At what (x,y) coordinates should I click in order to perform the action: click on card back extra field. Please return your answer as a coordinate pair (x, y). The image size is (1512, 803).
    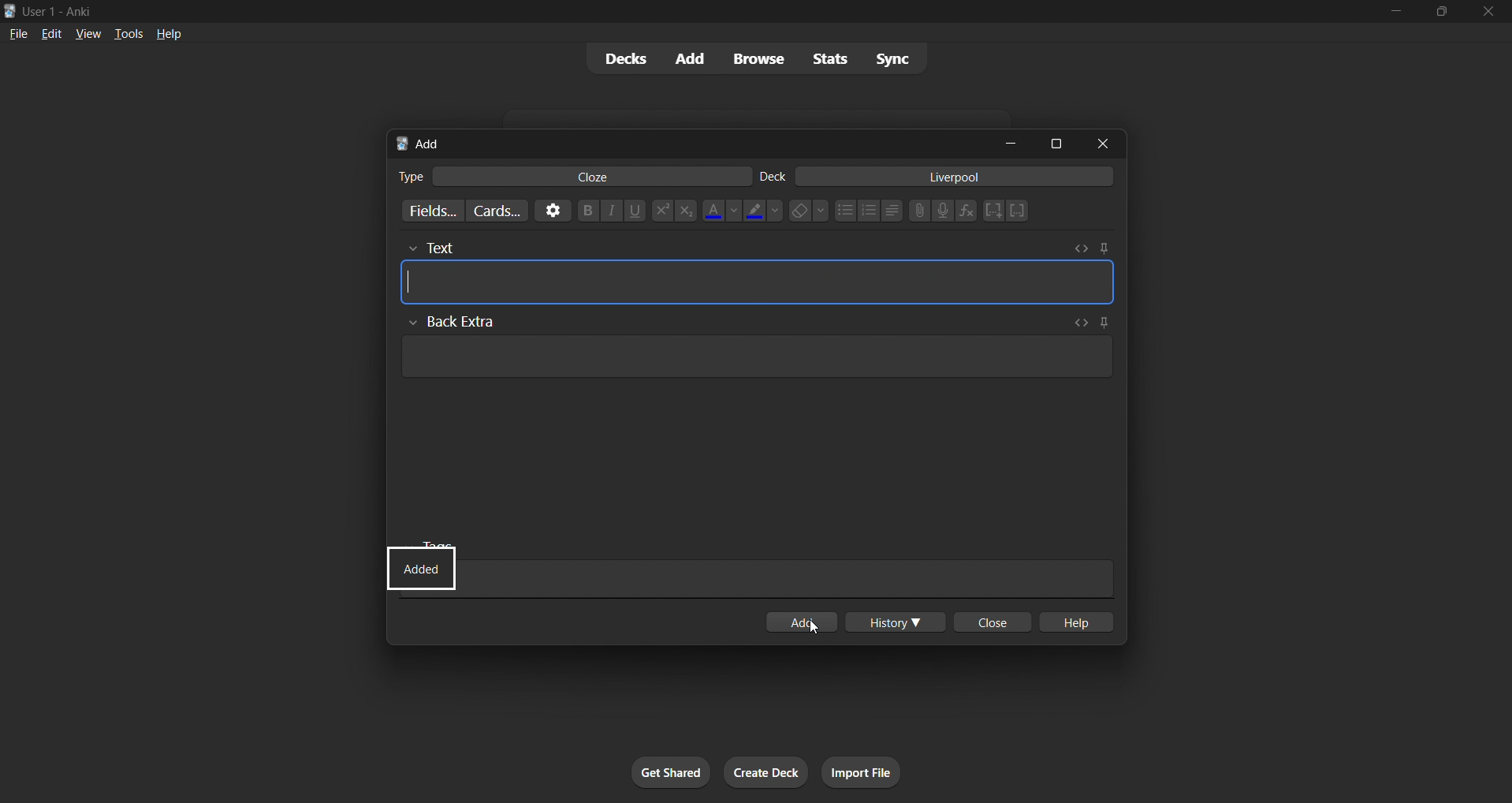
    Looking at the image, I should click on (752, 361).